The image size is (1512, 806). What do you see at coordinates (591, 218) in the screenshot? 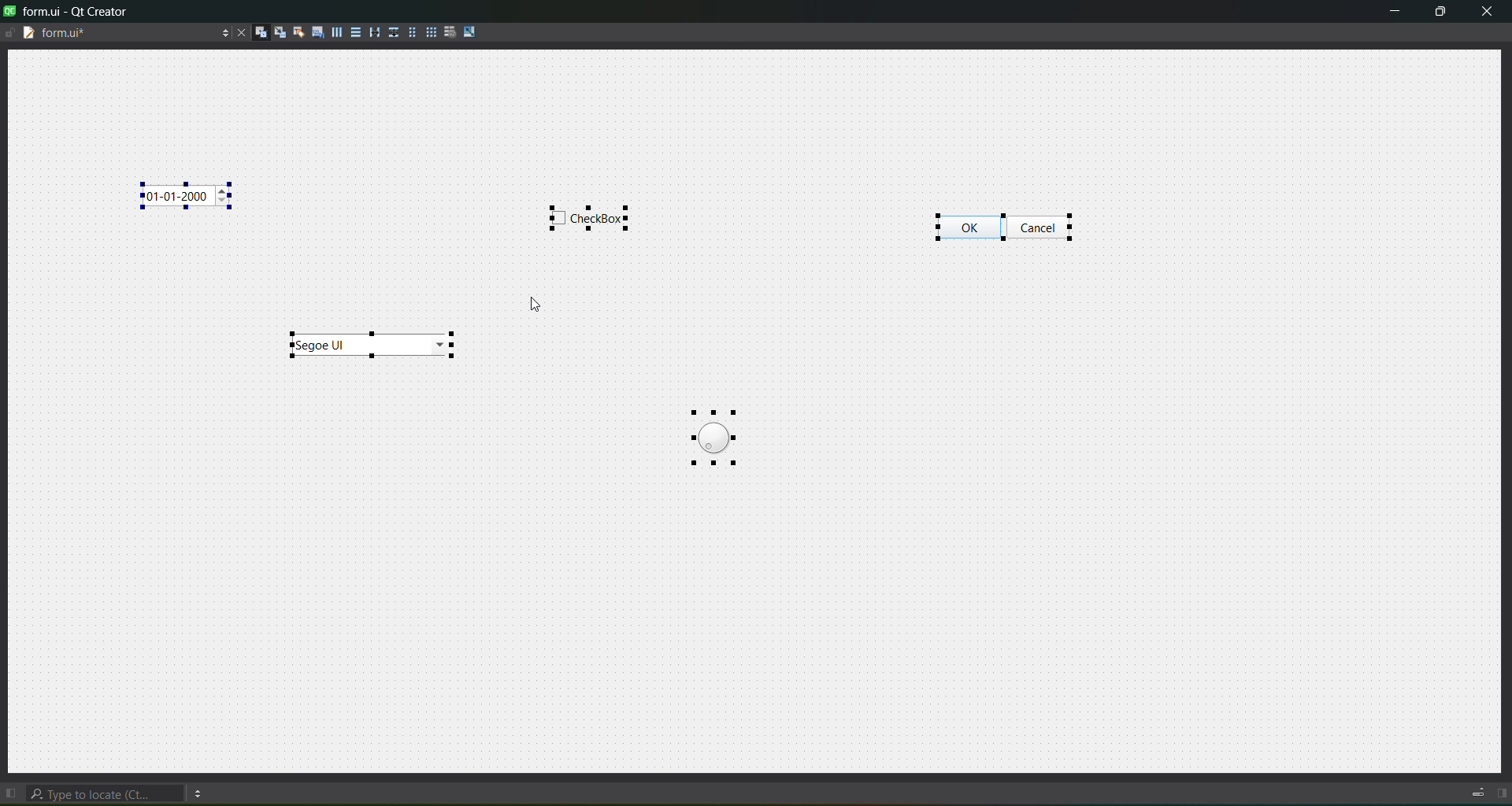
I see `Selected Widgets` at bounding box center [591, 218].